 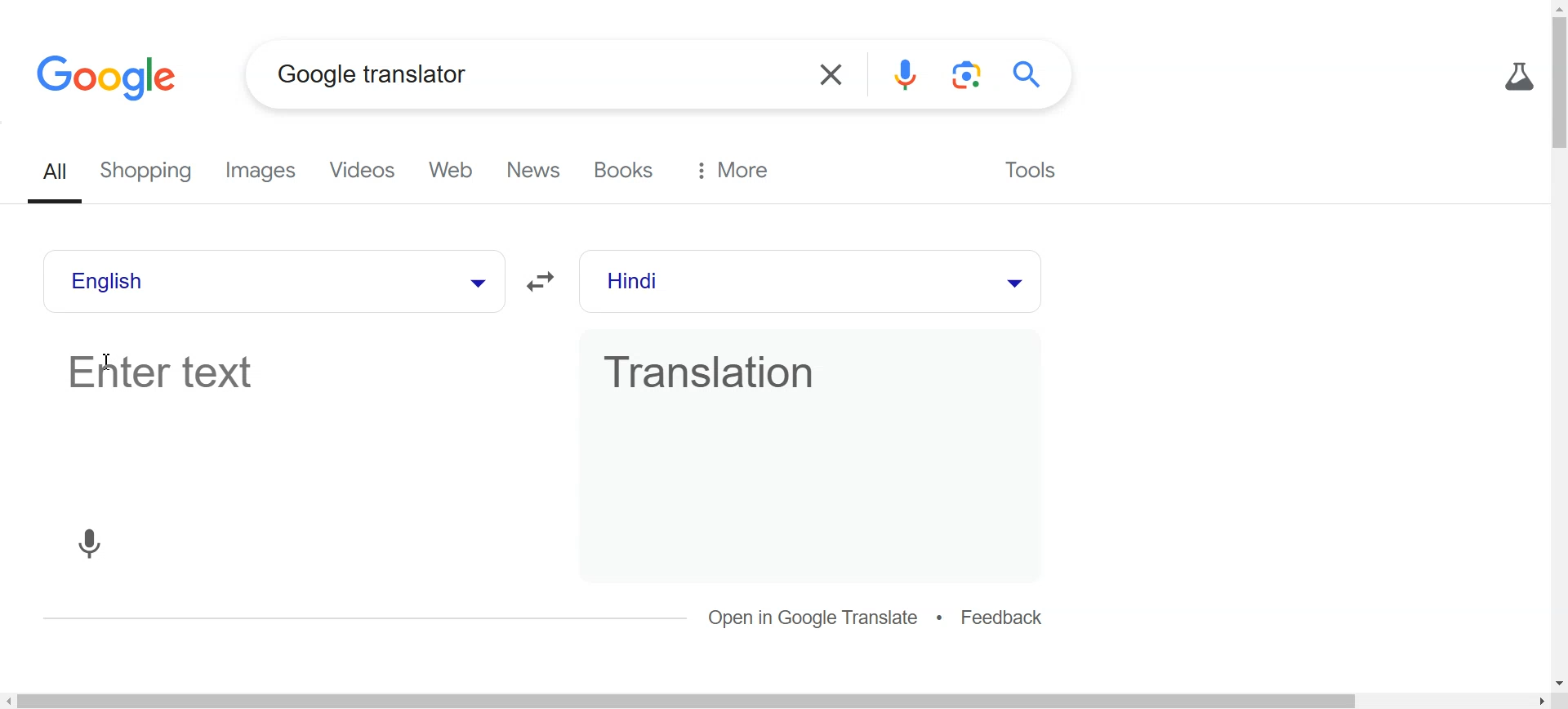 What do you see at coordinates (366, 172) in the screenshot?
I see `Videos` at bounding box center [366, 172].